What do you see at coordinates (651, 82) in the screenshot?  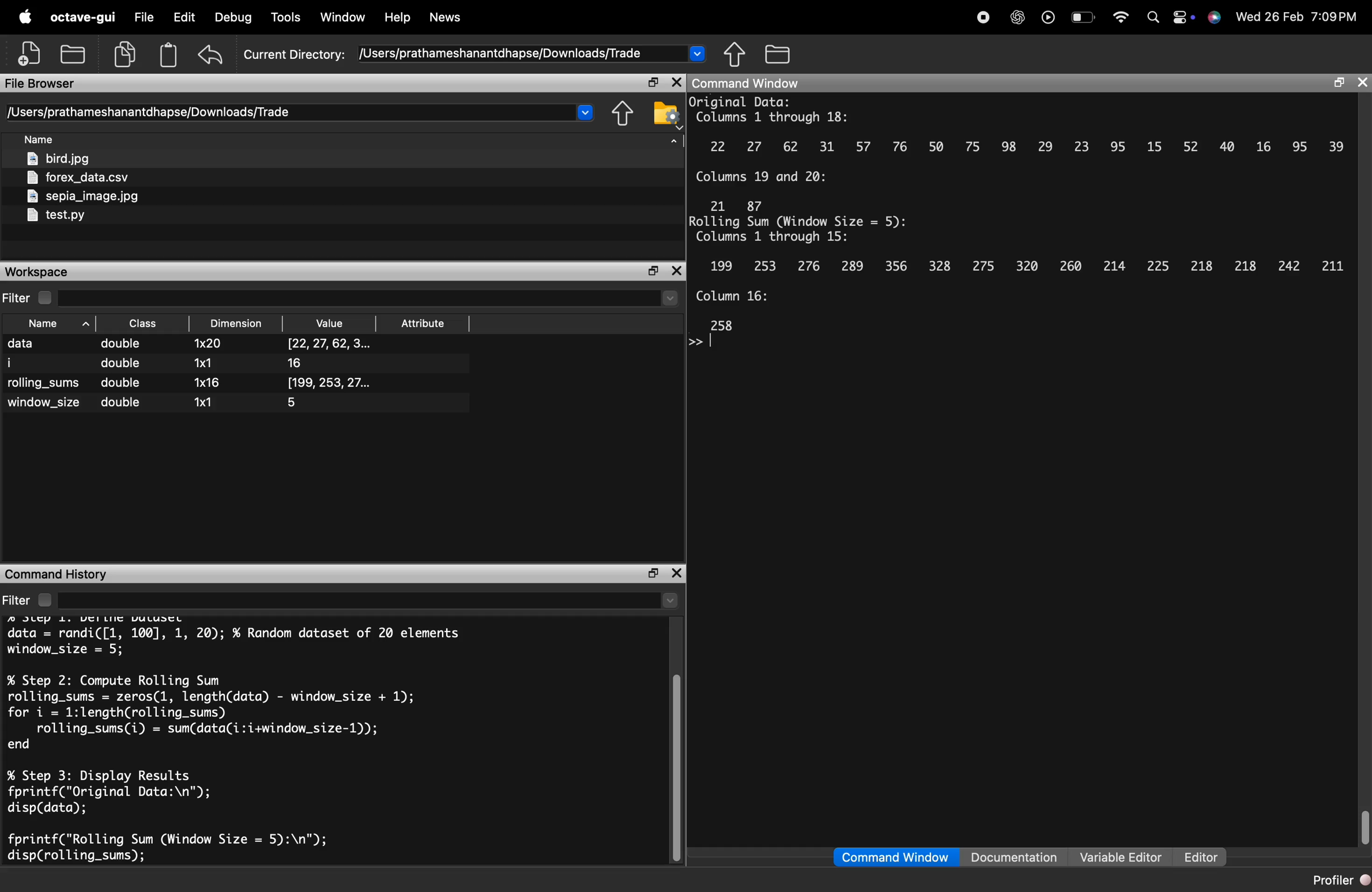 I see `maximize` at bounding box center [651, 82].